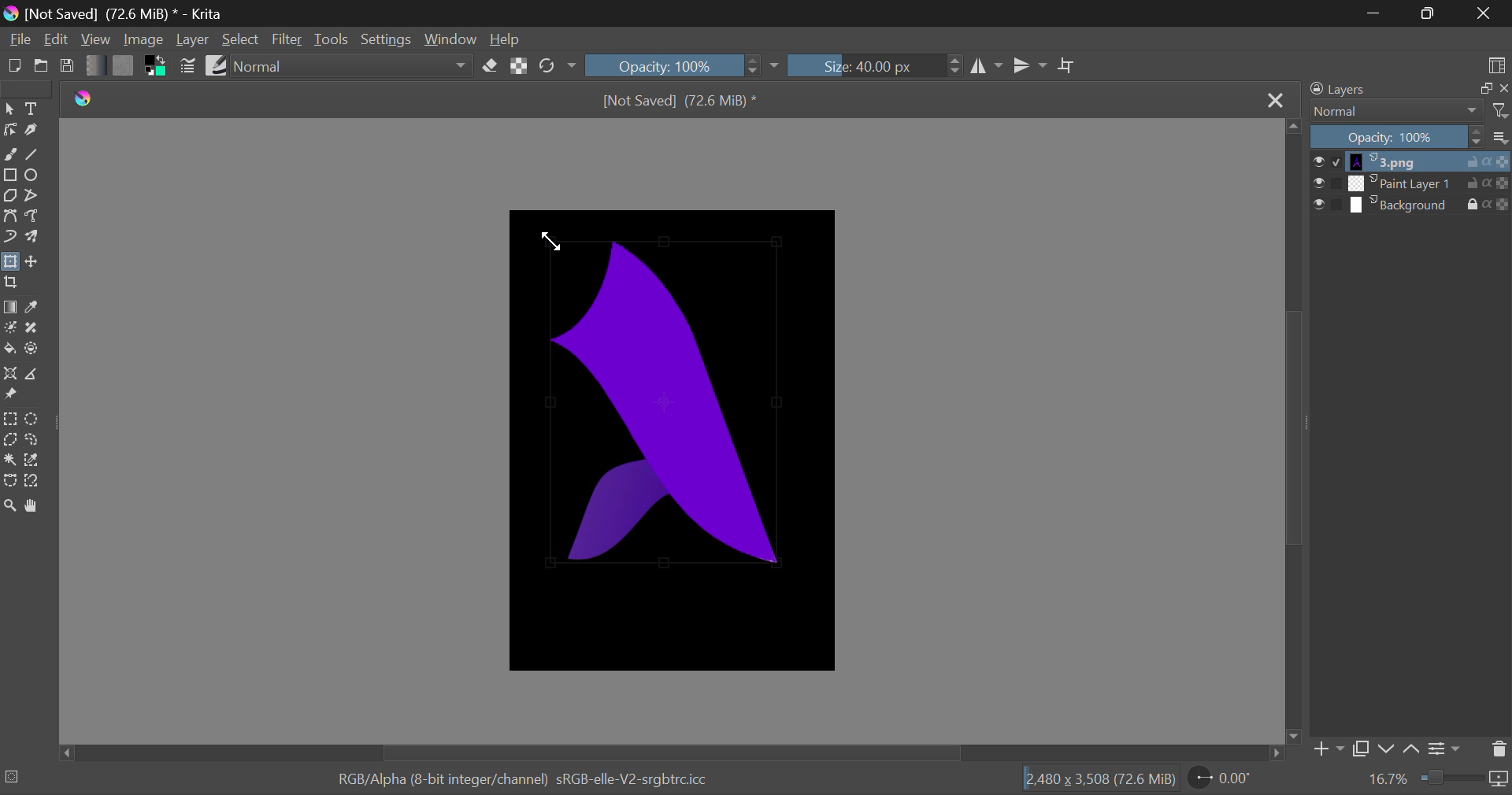 The height and width of the screenshot is (795, 1512). Describe the element at coordinates (334, 39) in the screenshot. I see `Tools` at that location.